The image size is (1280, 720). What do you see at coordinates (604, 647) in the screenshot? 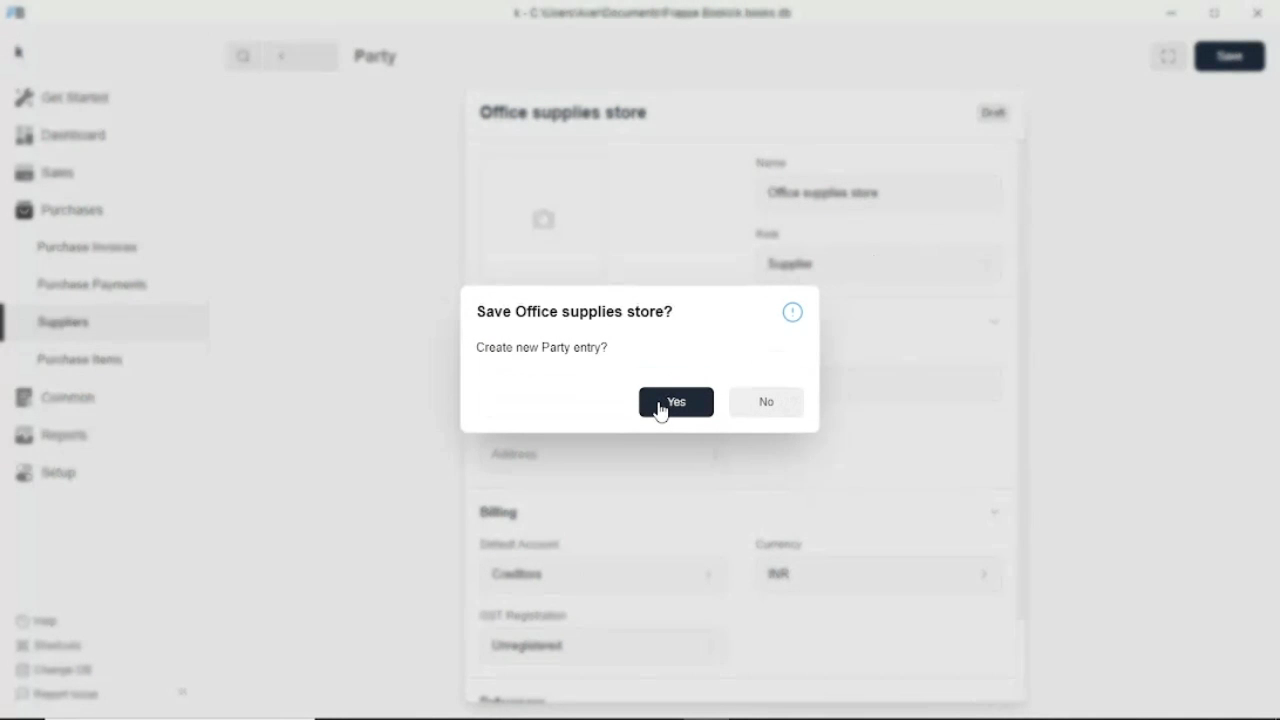
I see `Unregistered` at bounding box center [604, 647].